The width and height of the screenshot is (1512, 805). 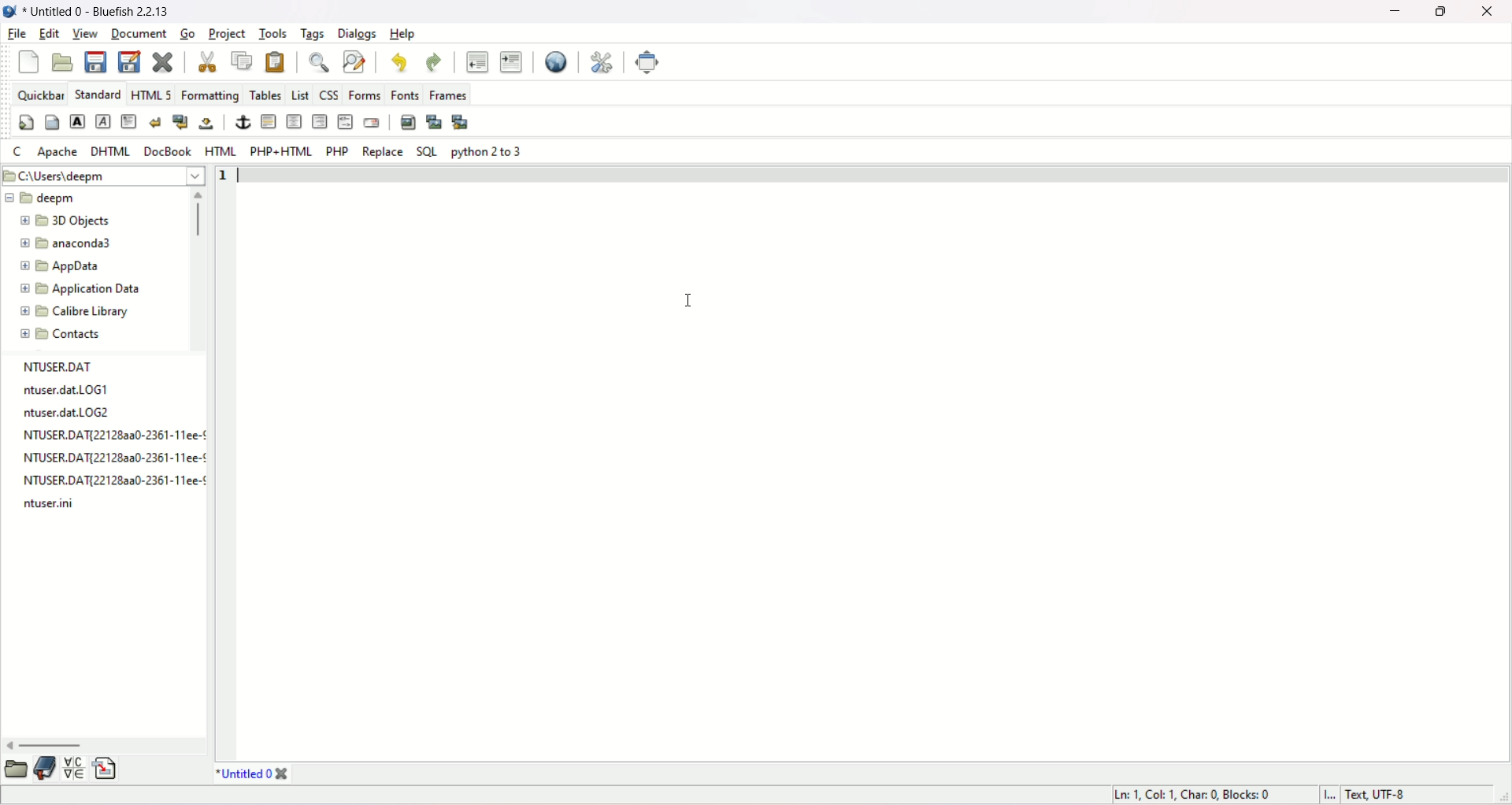 I want to click on editor, so click(x=873, y=462).